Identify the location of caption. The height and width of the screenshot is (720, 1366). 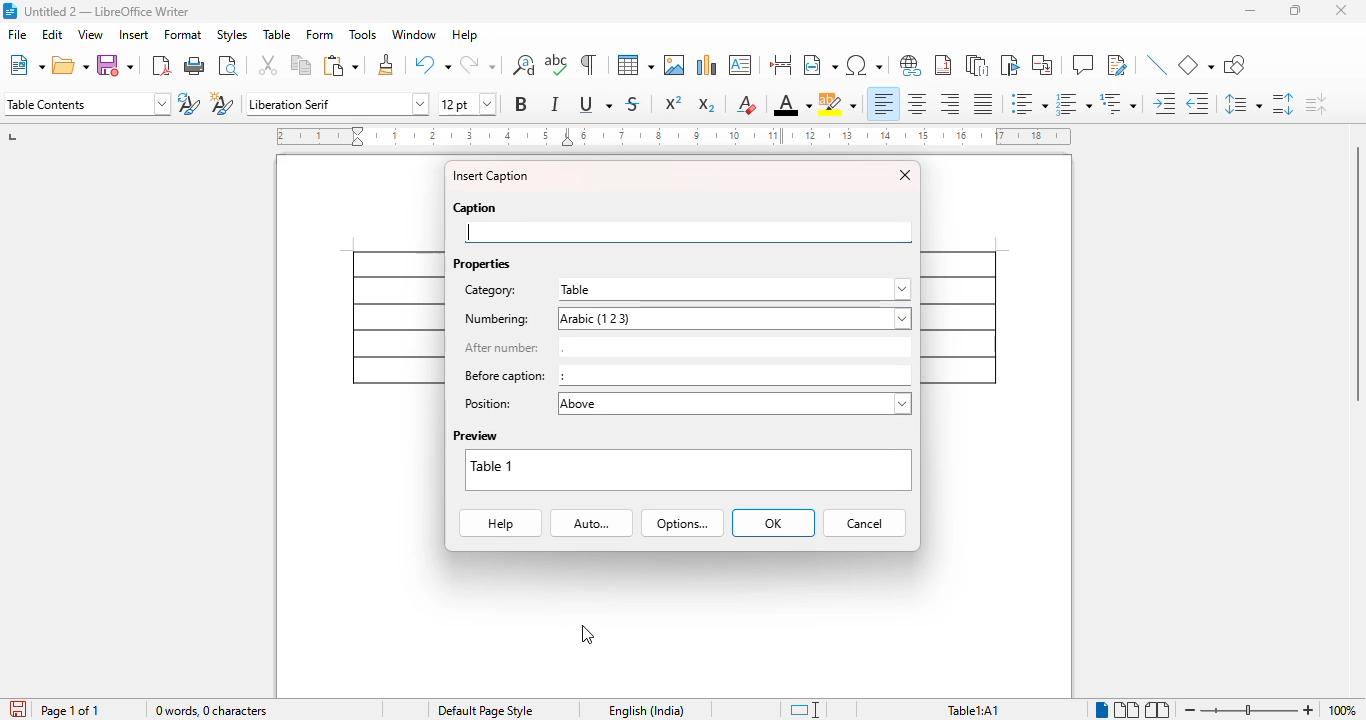
(476, 208).